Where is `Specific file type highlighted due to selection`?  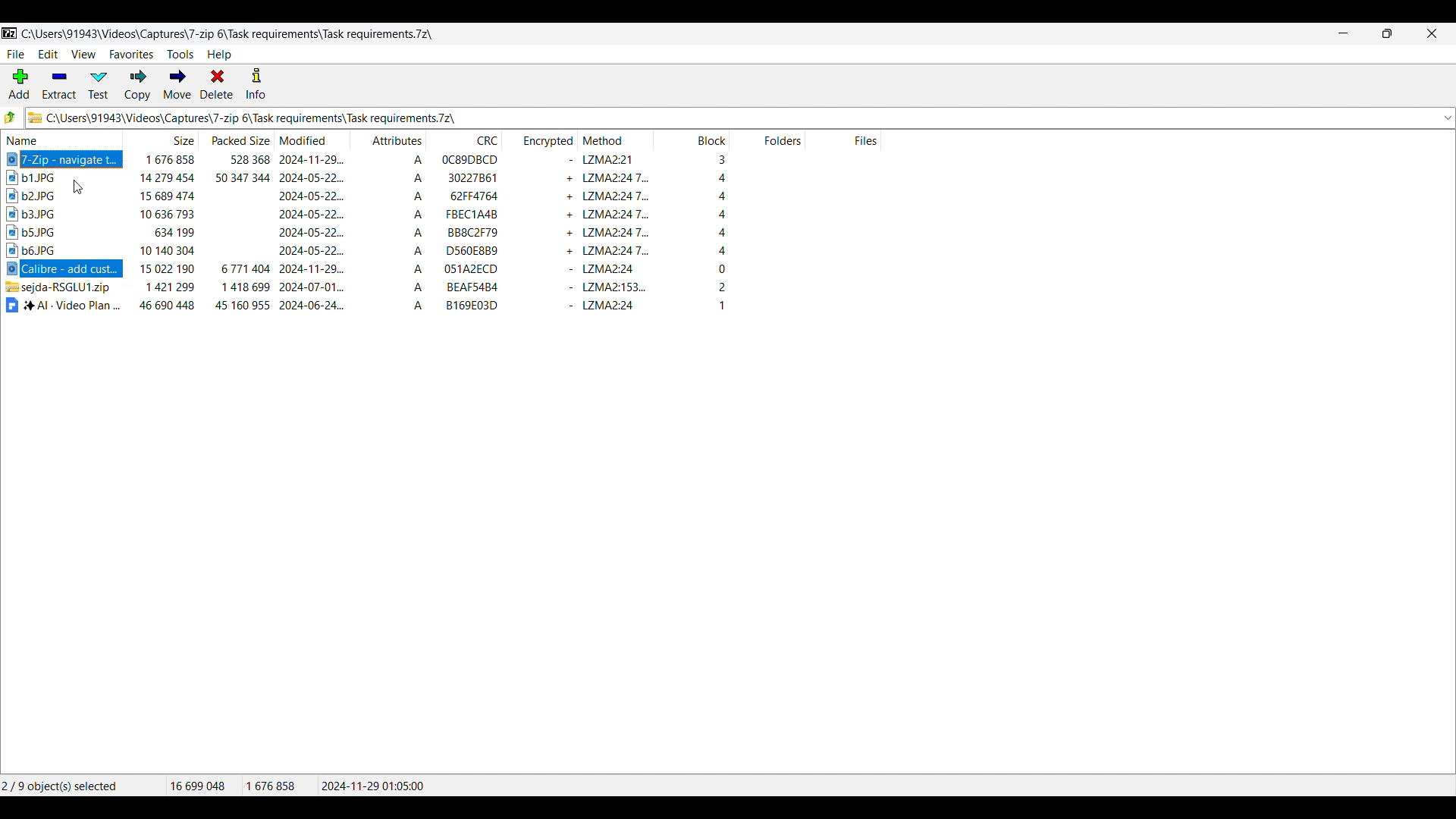 Specific file type highlighted due to selection is located at coordinates (63, 269).